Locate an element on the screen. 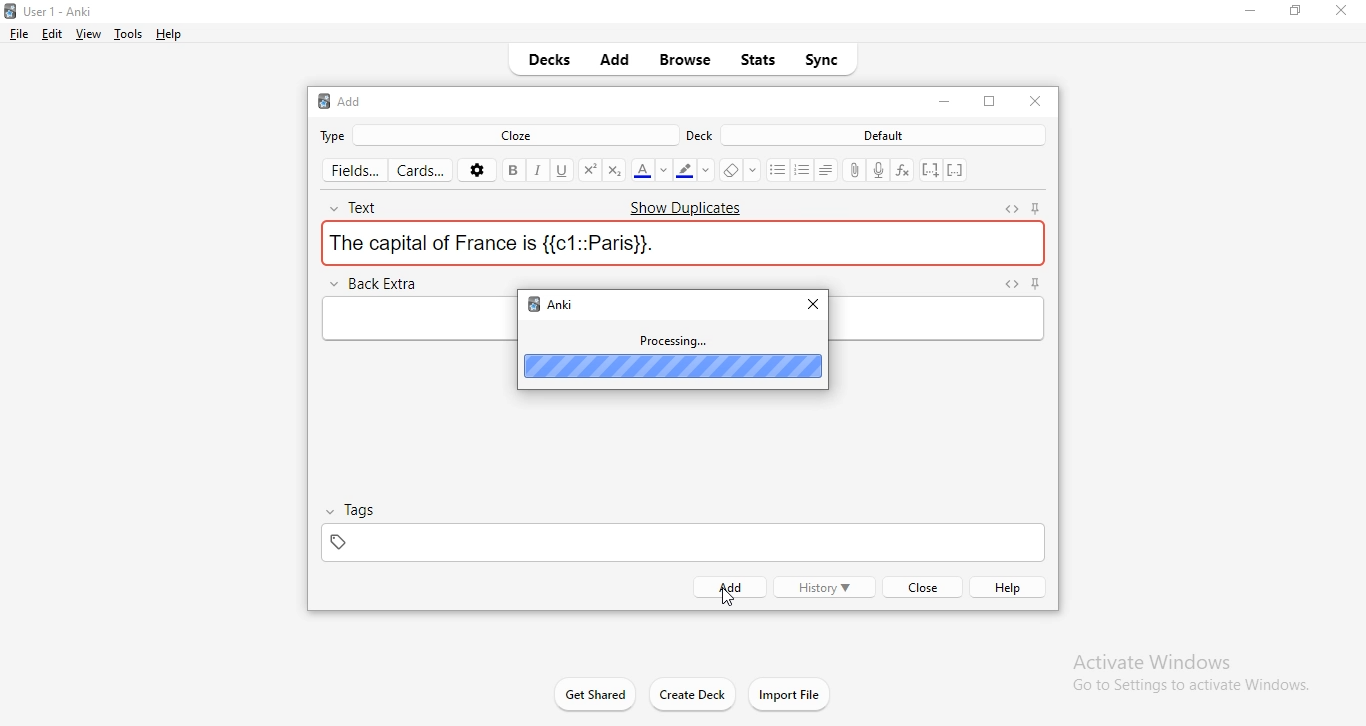  formula is located at coordinates (902, 168).